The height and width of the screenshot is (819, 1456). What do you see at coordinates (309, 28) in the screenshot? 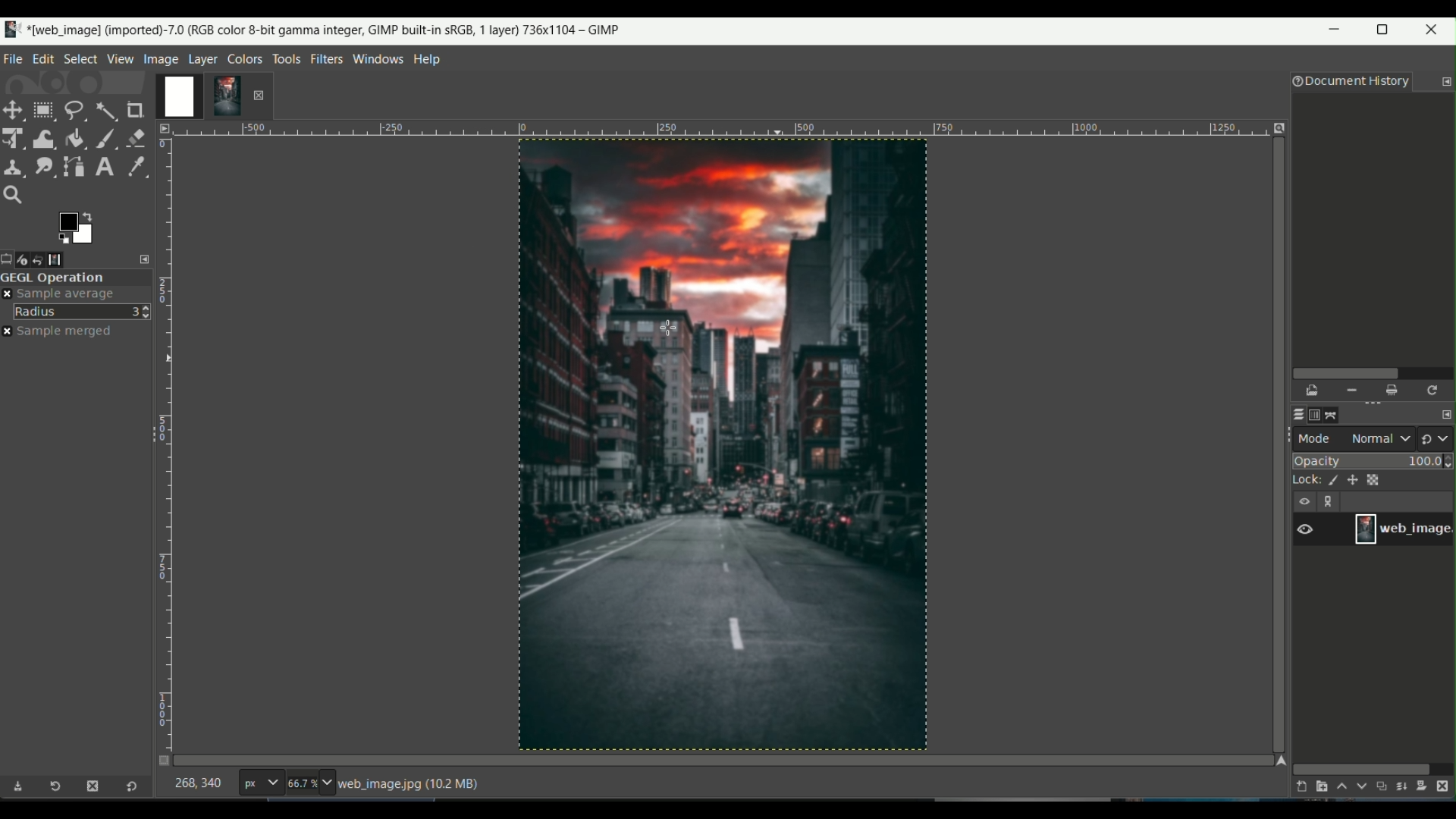
I see `app name` at bounding box center [309, 28].